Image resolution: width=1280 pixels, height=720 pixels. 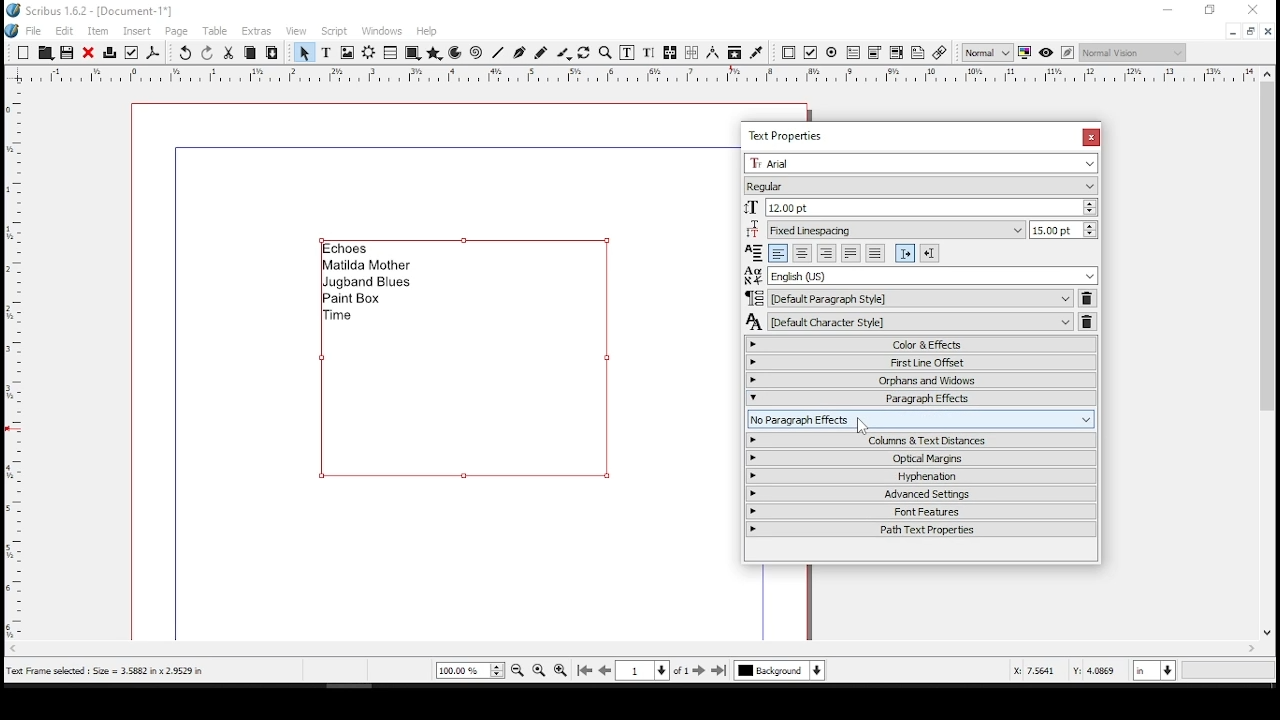 What do you see at coordinates (45, 52) in the screenshot?
I see `` at bounding box center [45, 52].